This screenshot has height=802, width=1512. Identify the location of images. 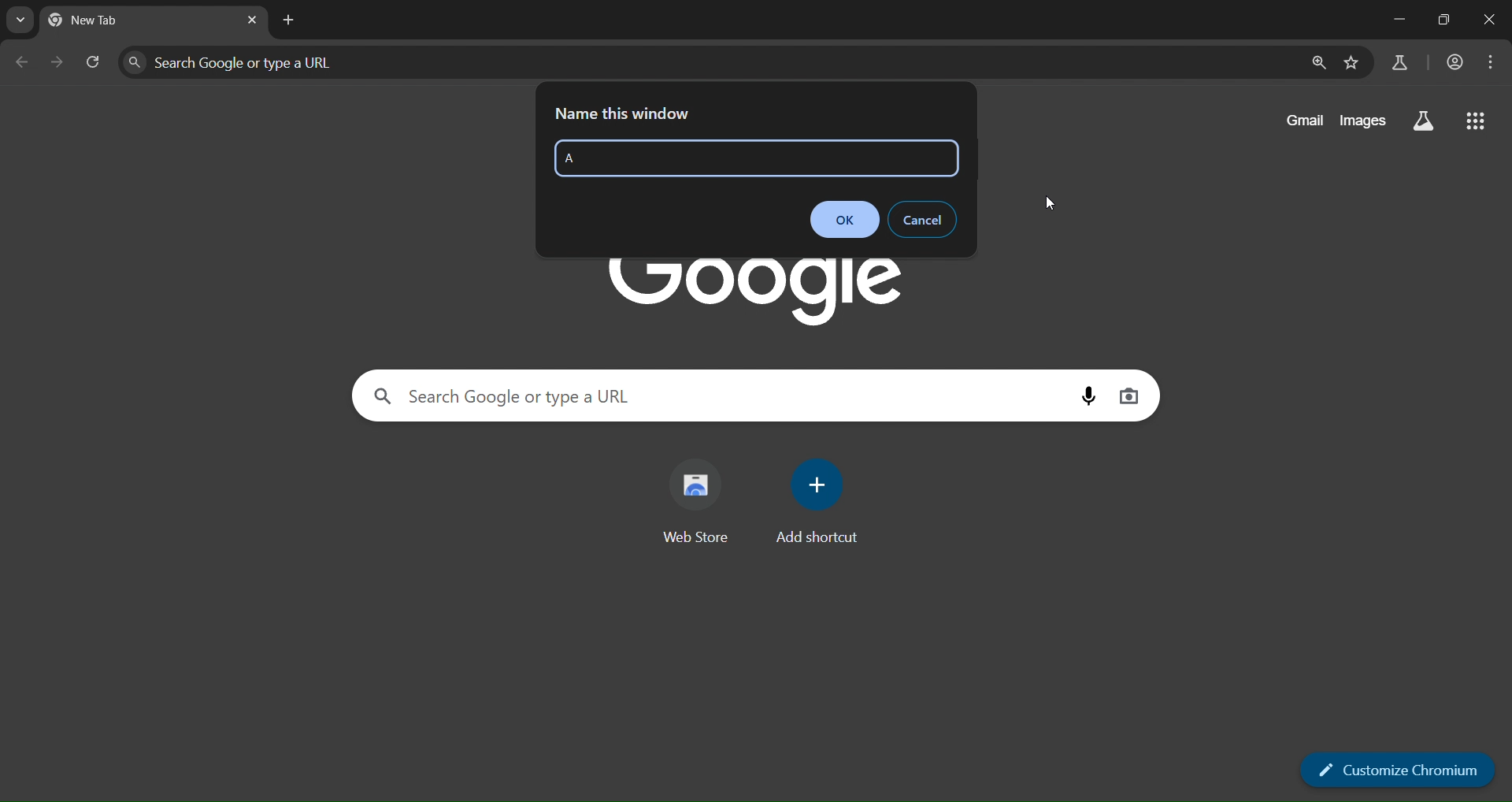
(1362, 119).